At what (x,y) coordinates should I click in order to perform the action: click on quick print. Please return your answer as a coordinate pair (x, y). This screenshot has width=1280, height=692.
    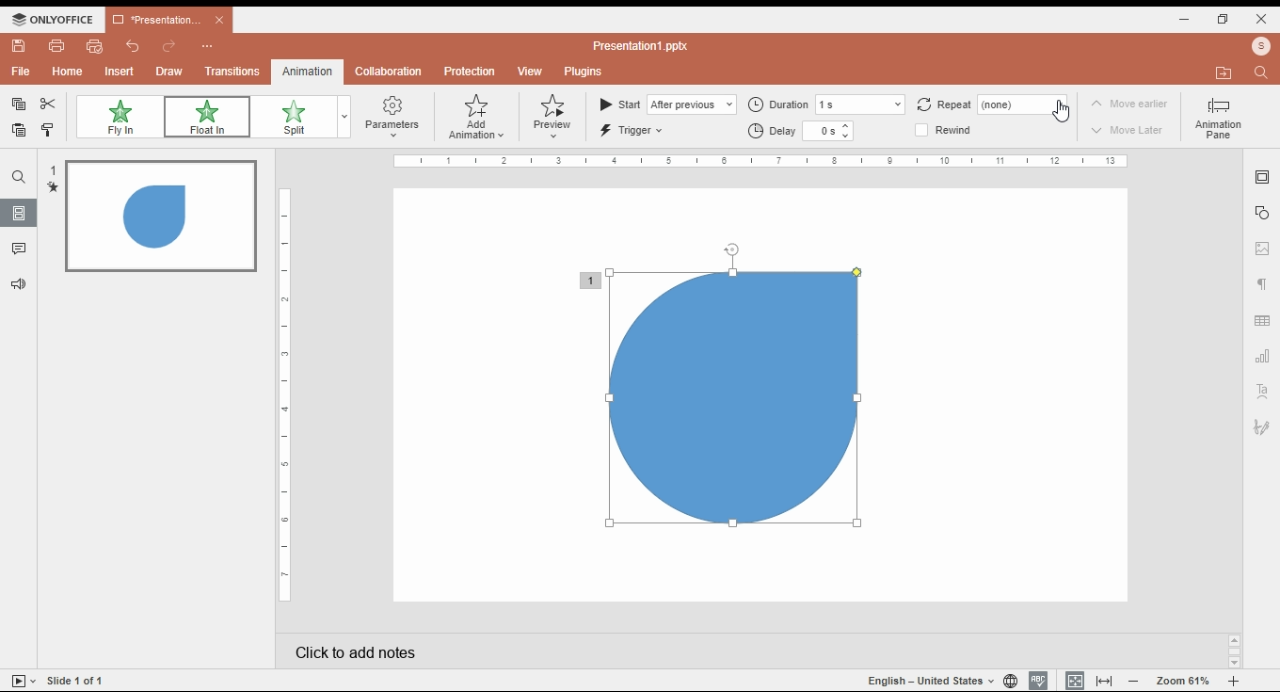
    Looking at the image, I should click on (96, 46).